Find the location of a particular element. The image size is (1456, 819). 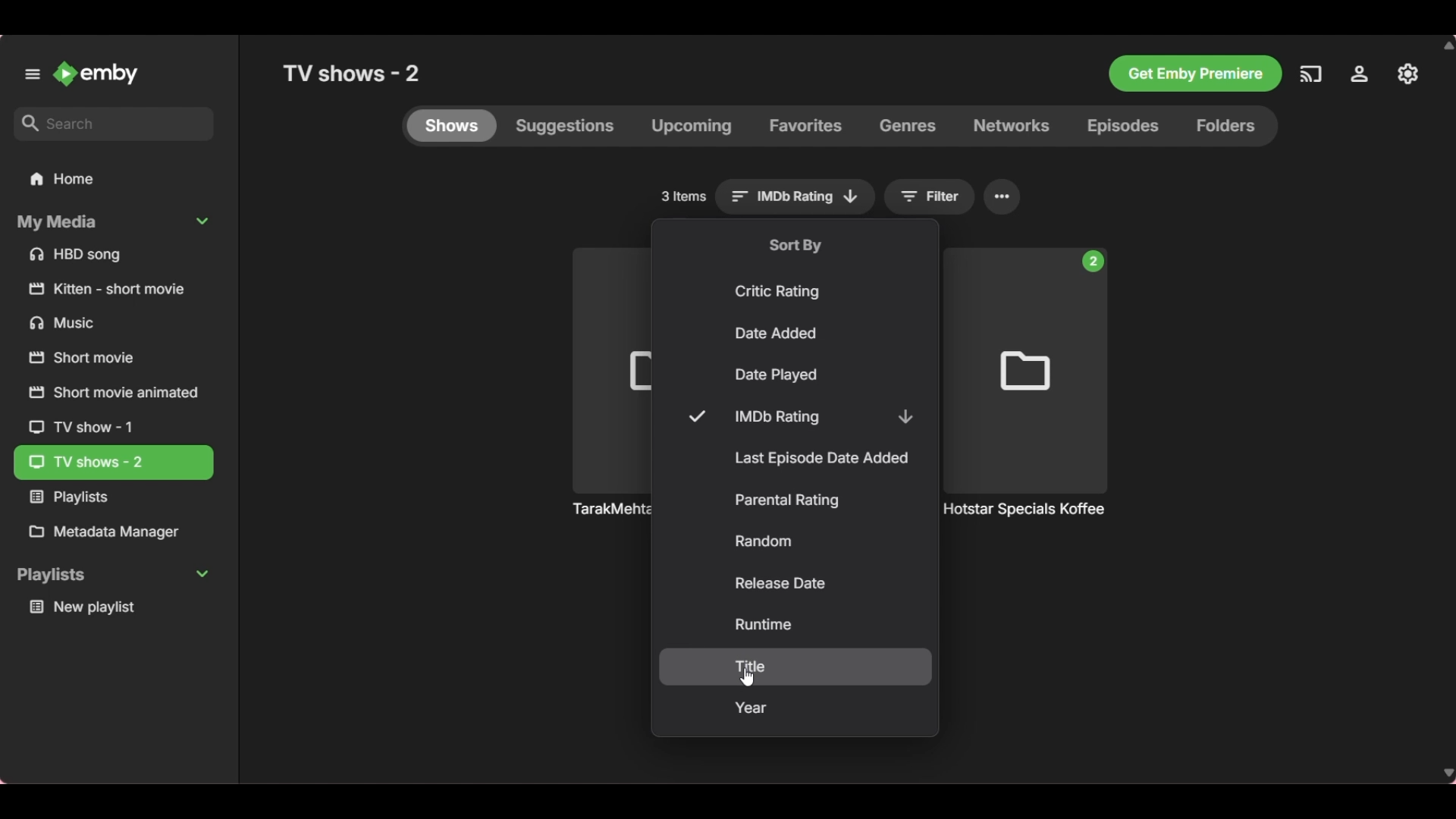

Collapse Playlists is located at coordinates (111, 576).